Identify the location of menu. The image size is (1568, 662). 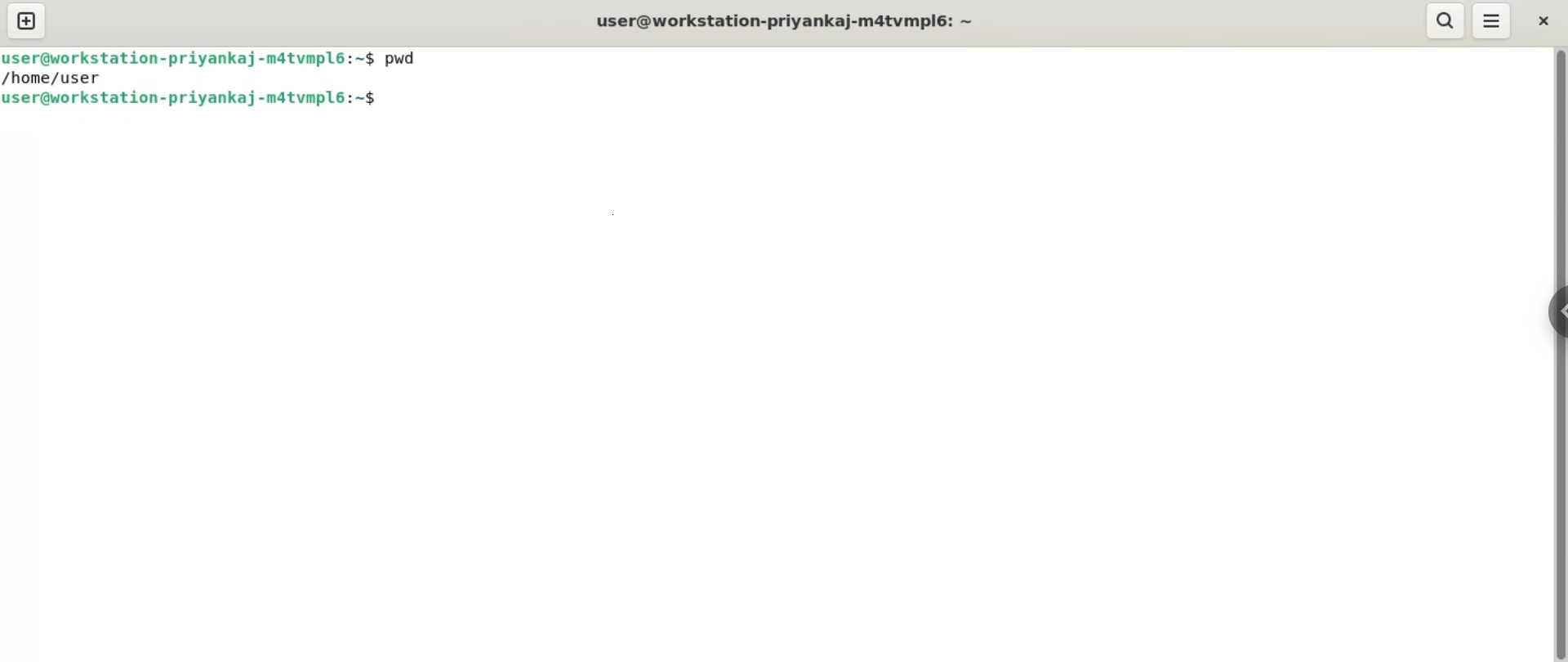
(1491, 22).